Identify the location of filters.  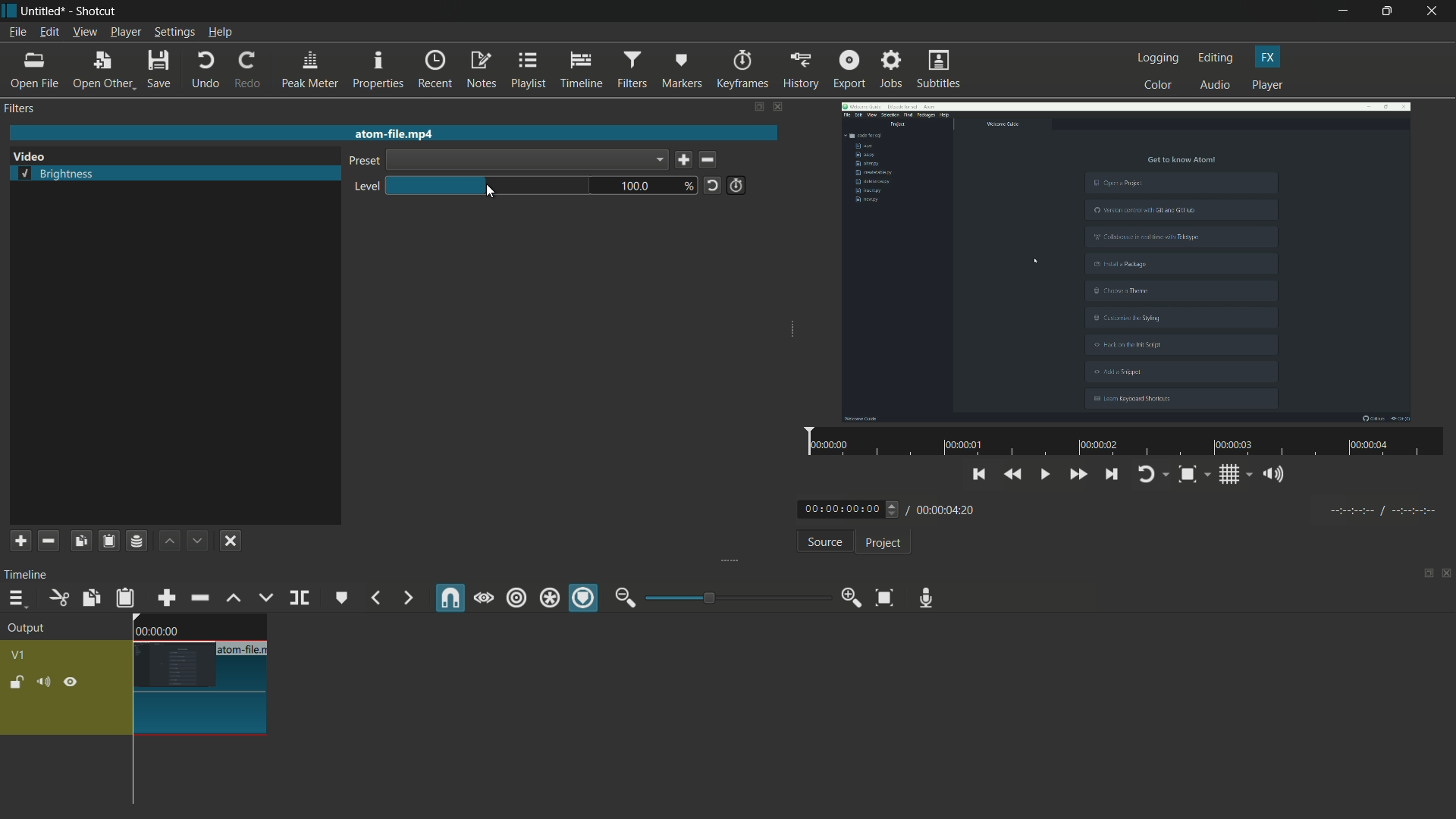
(21, 108).